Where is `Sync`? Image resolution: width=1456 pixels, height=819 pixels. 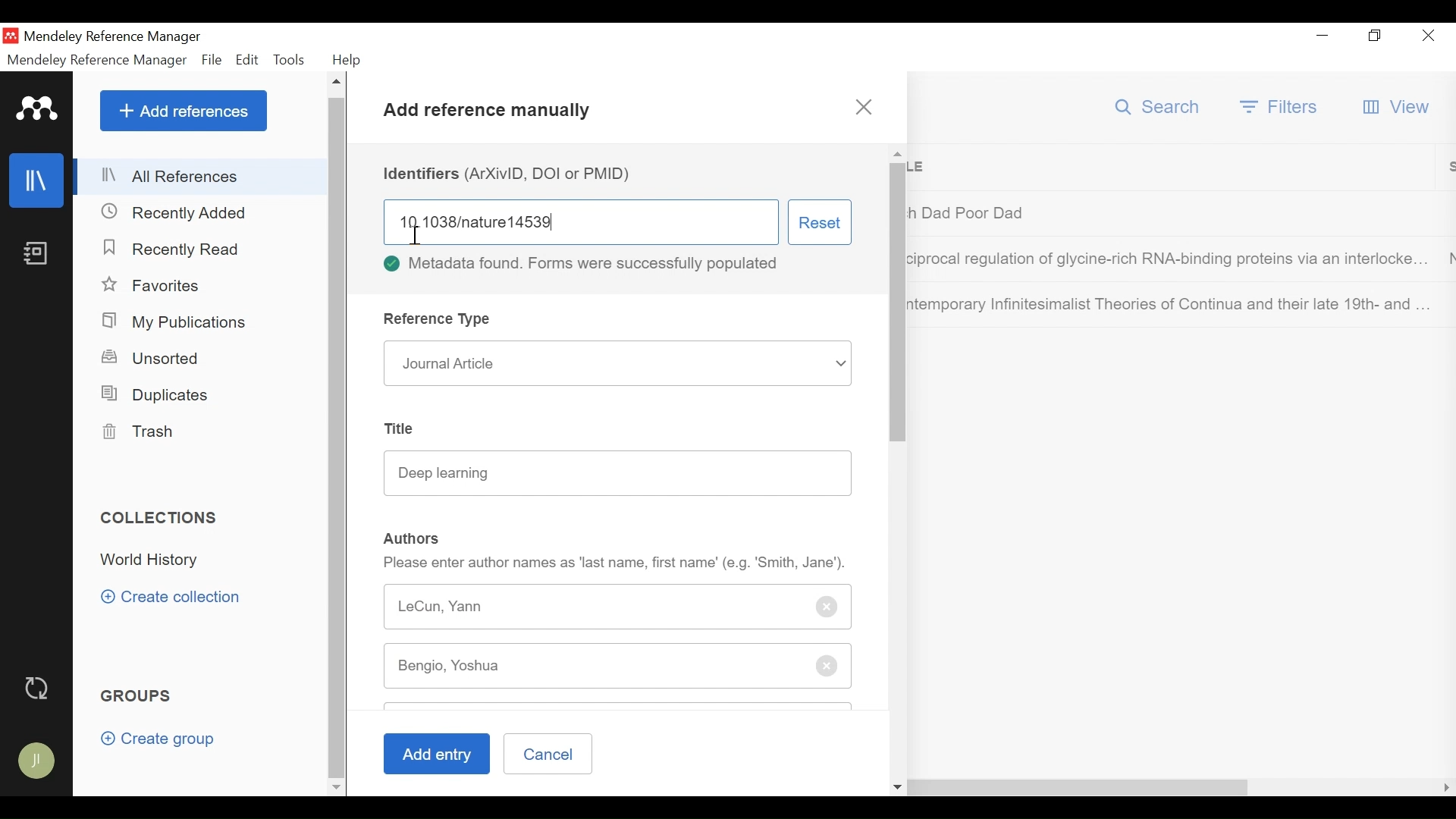 Sync is located at coordinates (39, 687).